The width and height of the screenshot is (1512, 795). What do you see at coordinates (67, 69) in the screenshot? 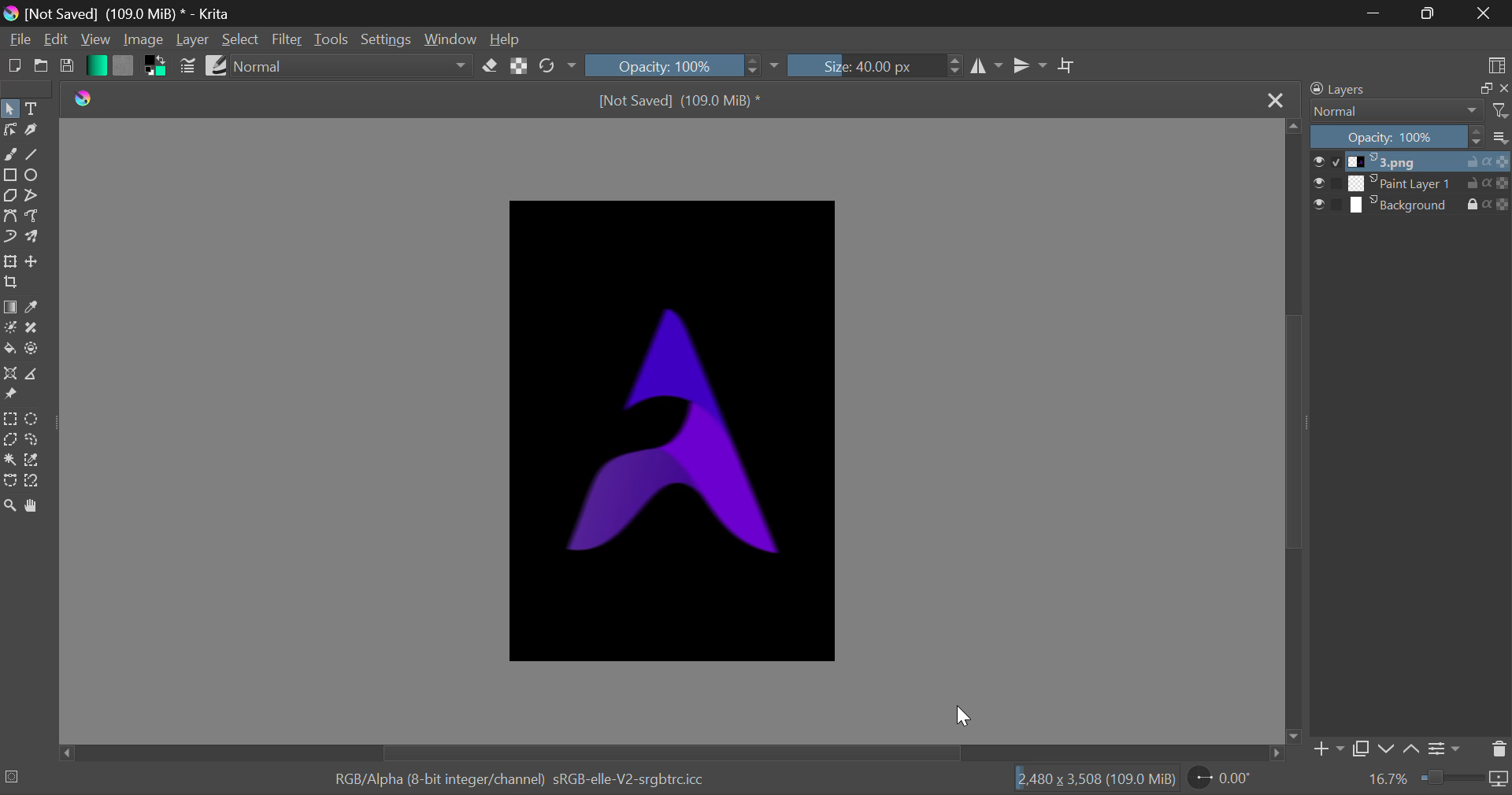
I see `Save` at bounding box center [67, 69].